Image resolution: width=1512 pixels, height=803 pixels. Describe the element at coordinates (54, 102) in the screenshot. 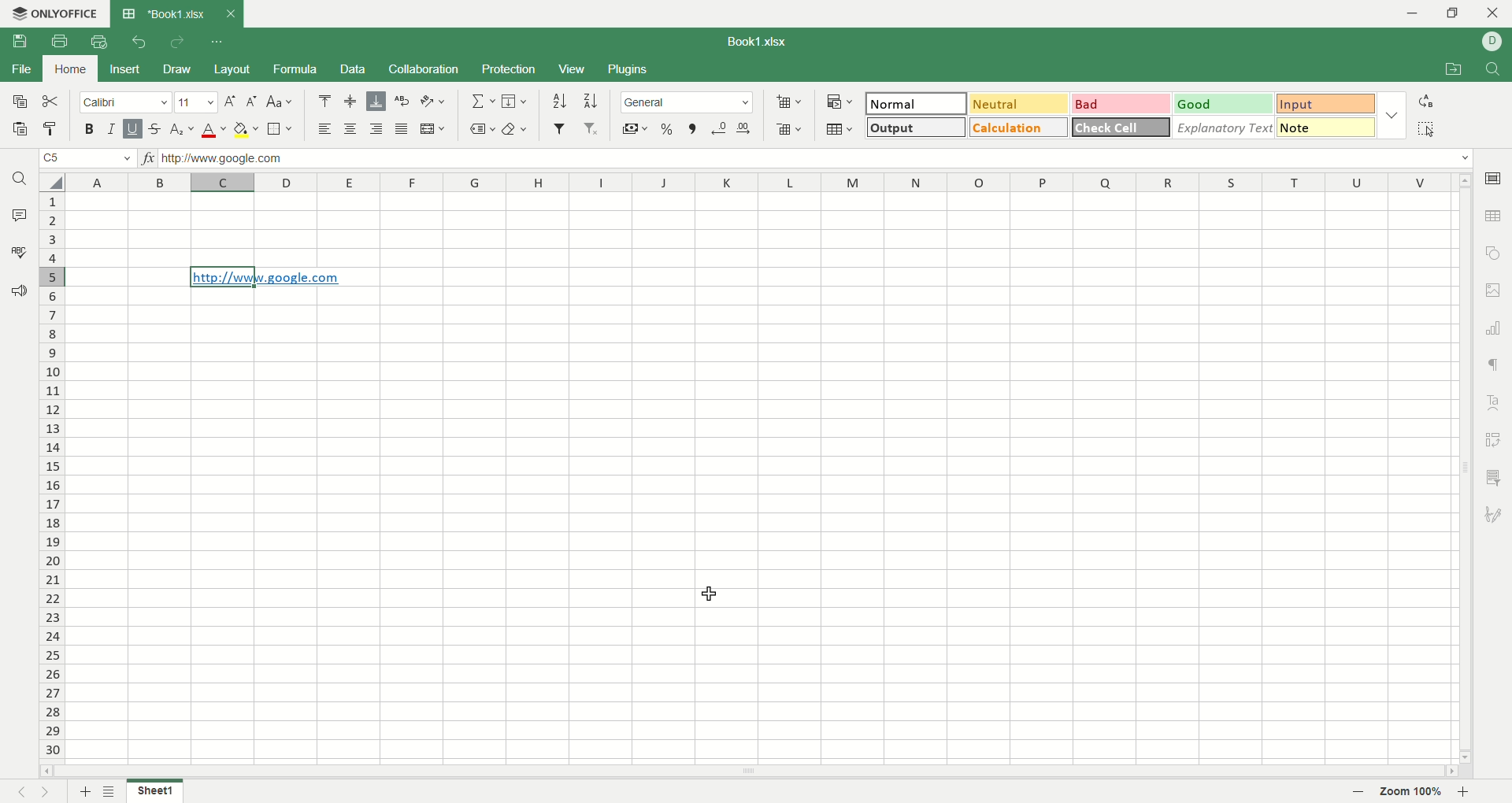

I see `cut` at that location.